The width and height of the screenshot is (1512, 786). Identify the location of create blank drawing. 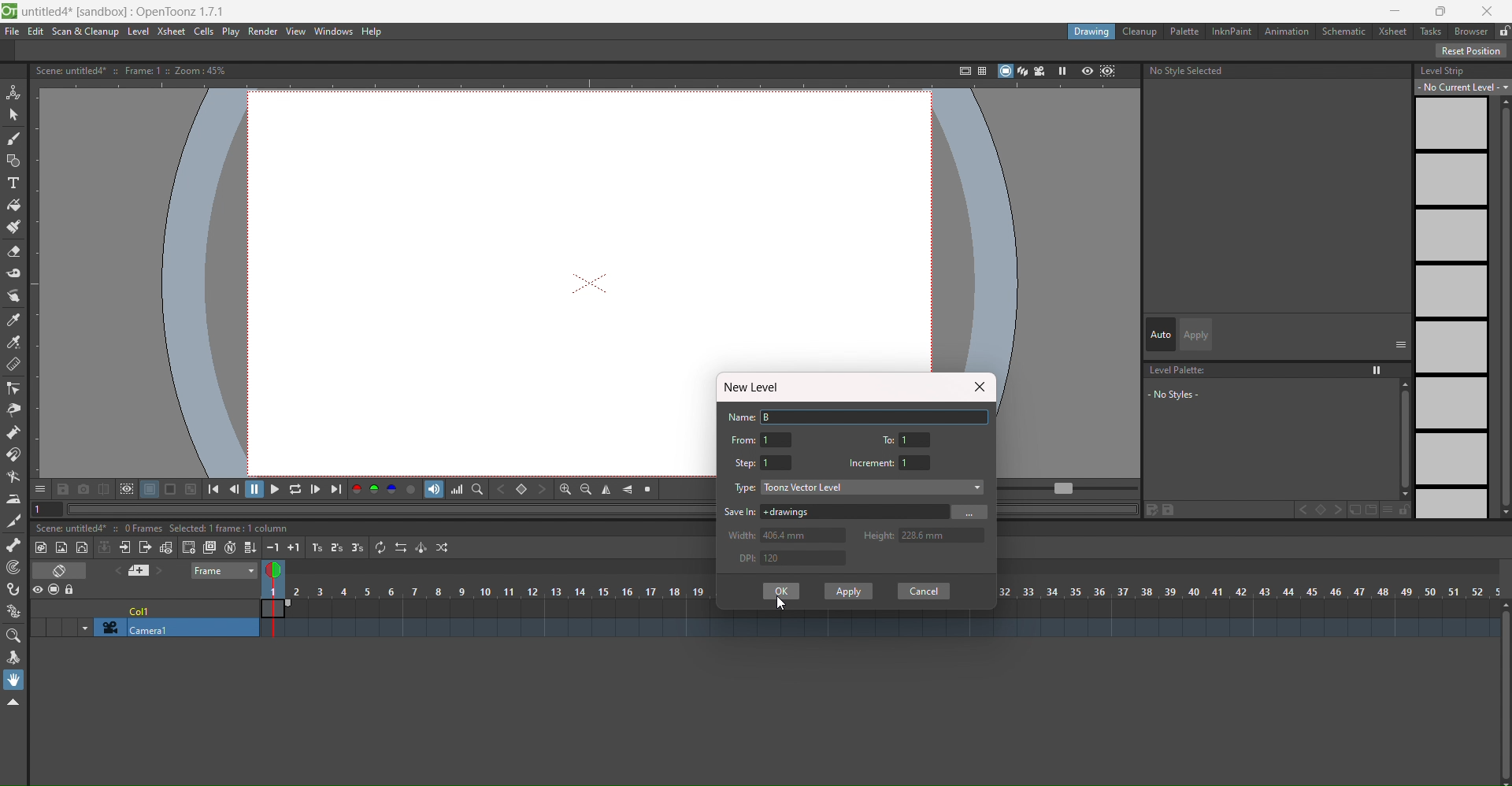
(188, 547).